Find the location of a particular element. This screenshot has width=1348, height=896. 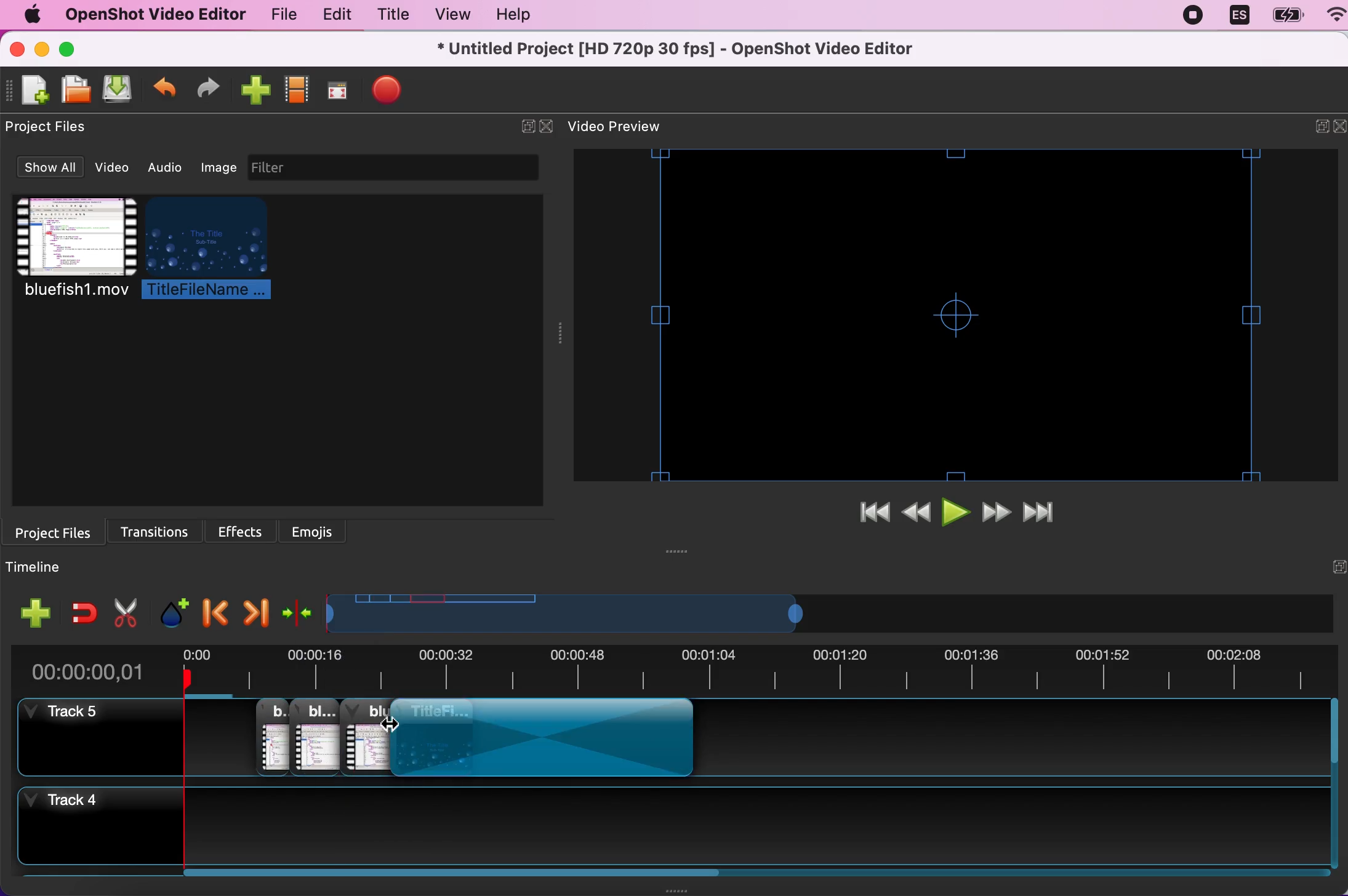

import file is located at coordinates (253, 91).